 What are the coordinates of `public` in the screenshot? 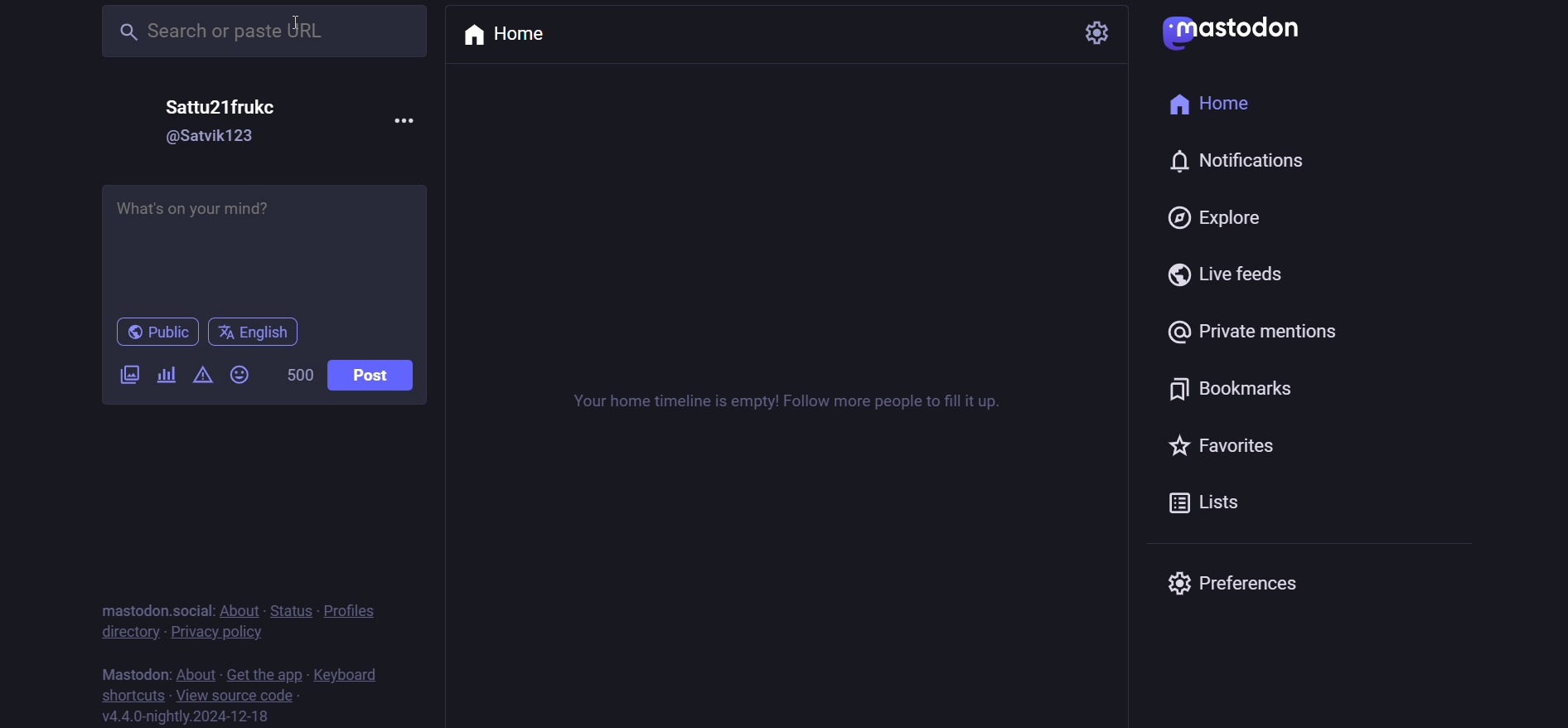 It's located at (156, 333).